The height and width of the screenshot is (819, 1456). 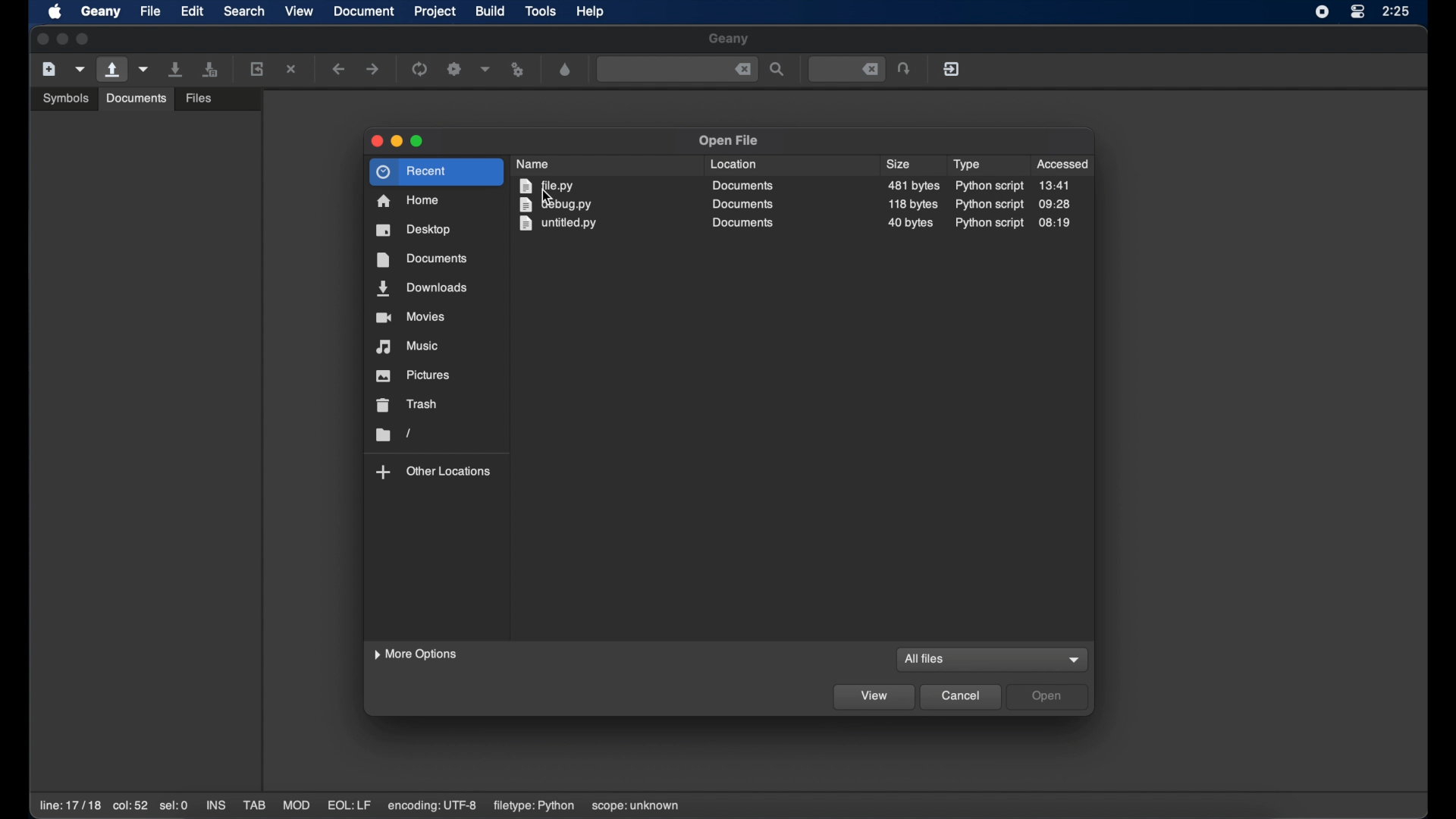 I want to click on music, so click(x=410, y=347).